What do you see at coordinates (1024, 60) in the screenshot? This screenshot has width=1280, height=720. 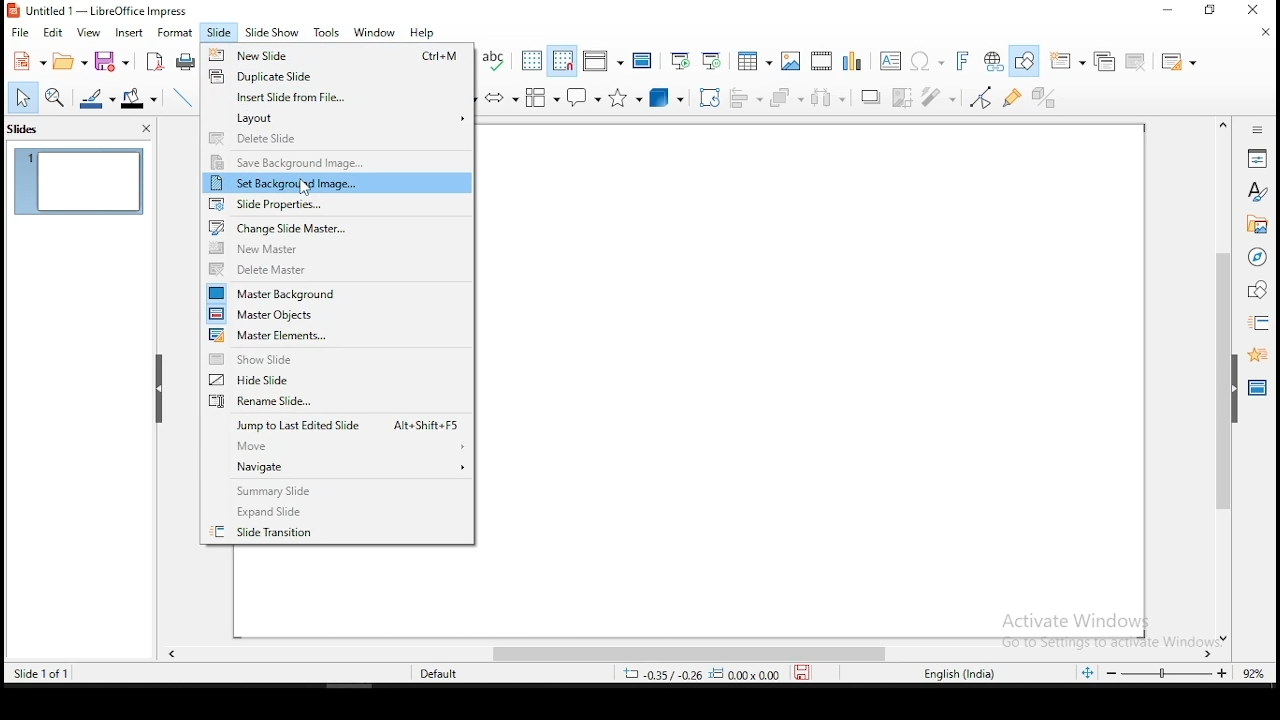 I see `show draw functions` at bounding box center [1024, 60].